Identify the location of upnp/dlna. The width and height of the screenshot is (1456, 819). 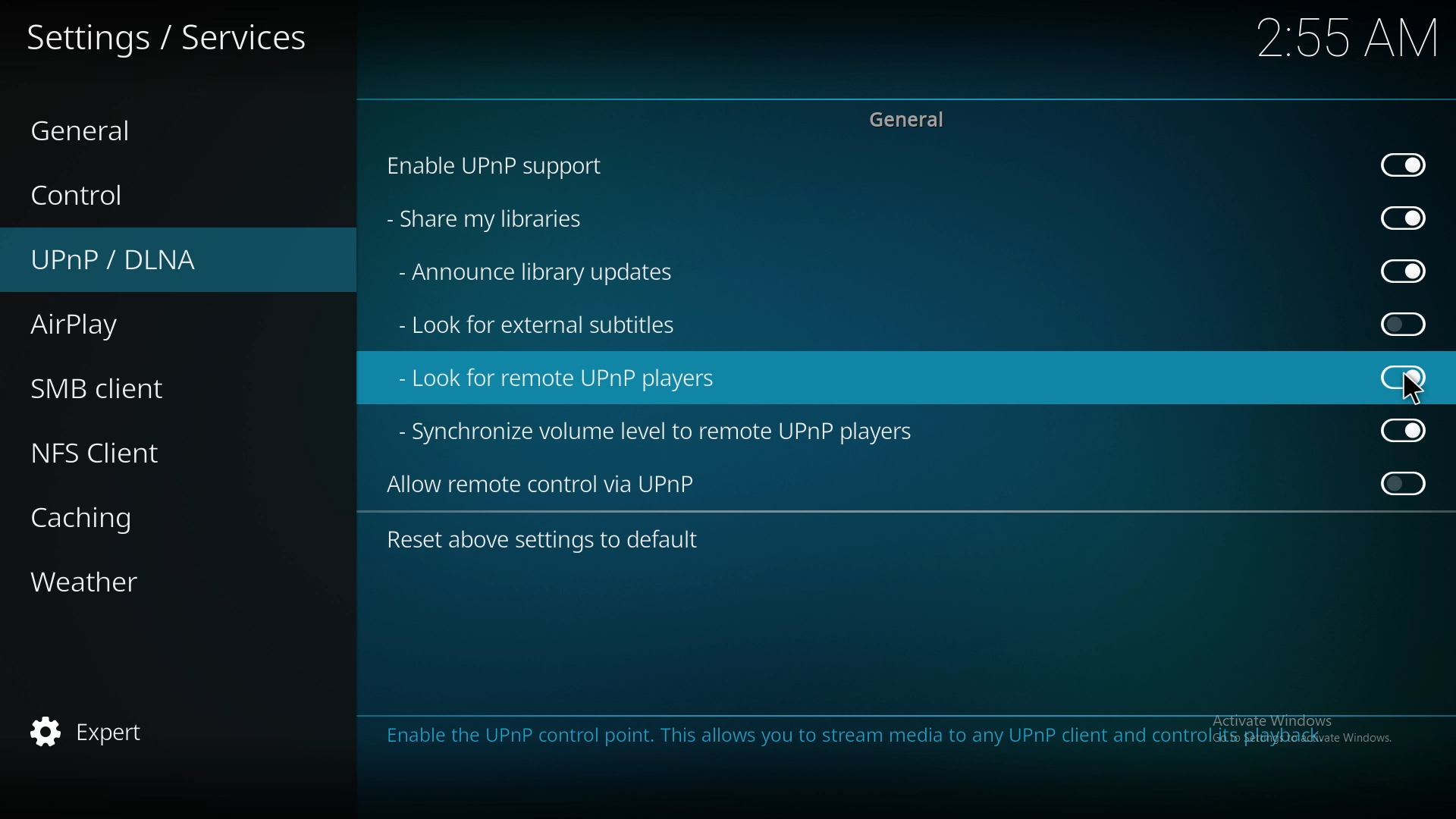
(141, 260).